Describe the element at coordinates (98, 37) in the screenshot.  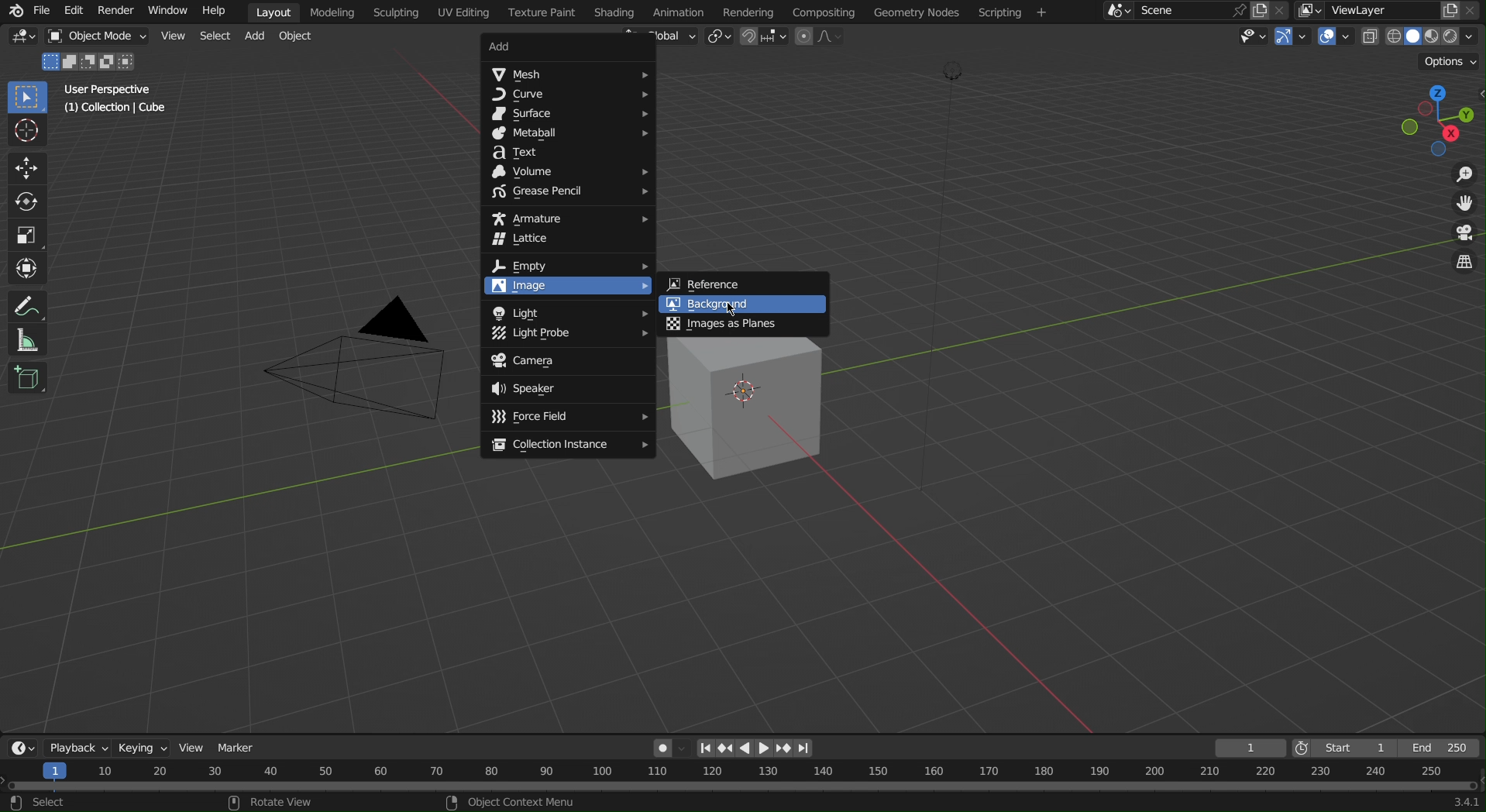
I see `Object Mode` at that location.